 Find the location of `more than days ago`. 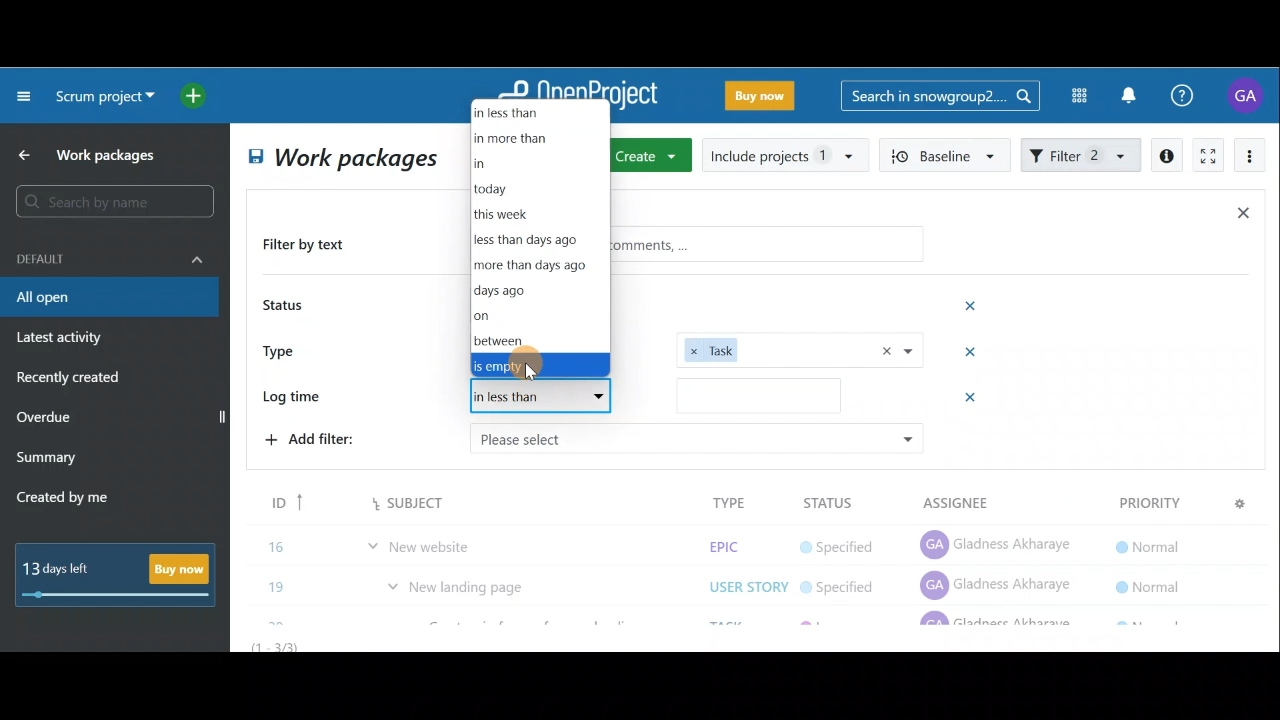

more than days ago is located at coordinates (533, 265).